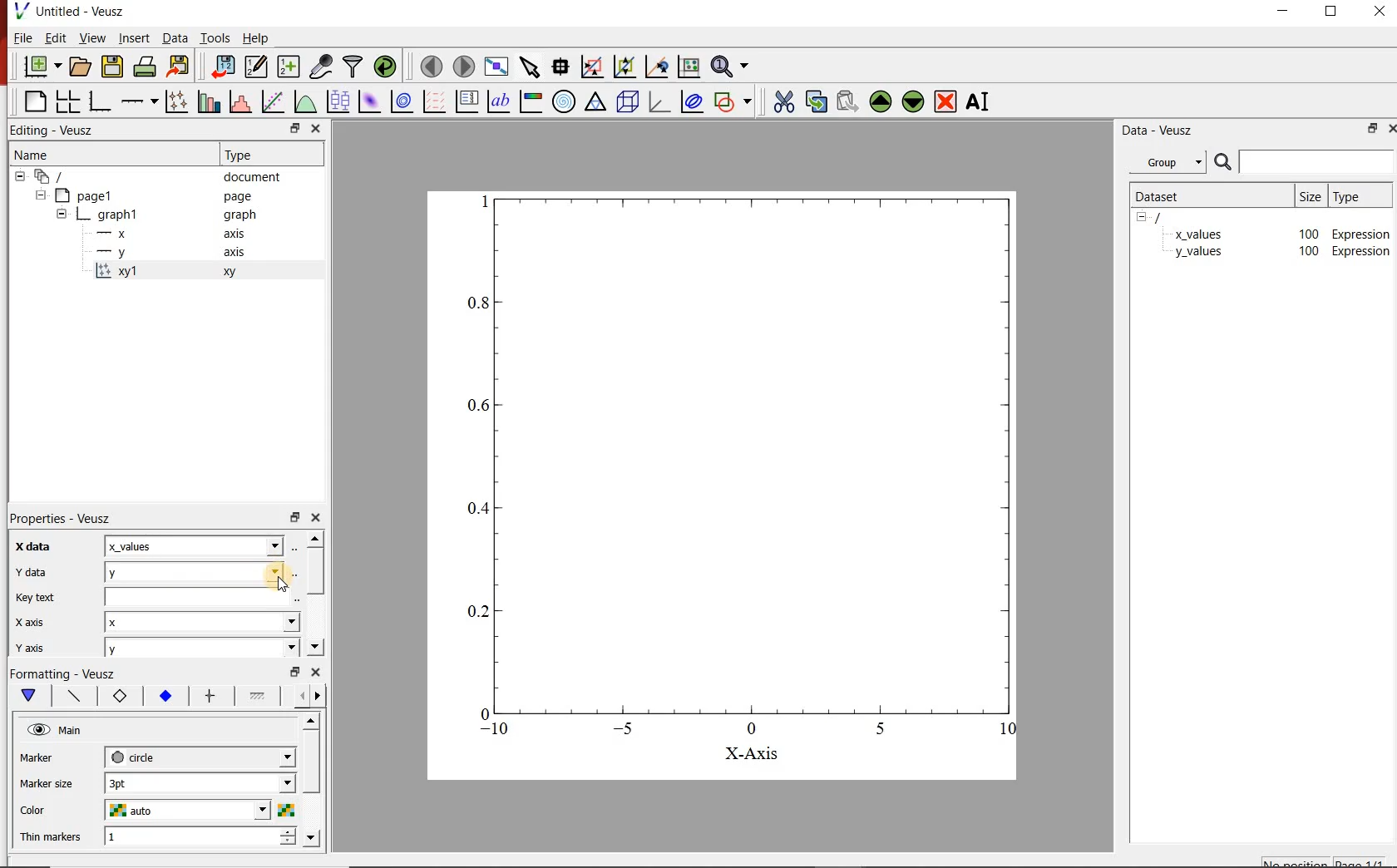 Image resolution: width=1397 pixels, height=868 pixels. Describe the element at coordinates (1330, 12) in the screenshot. I see `restore down` at that location.